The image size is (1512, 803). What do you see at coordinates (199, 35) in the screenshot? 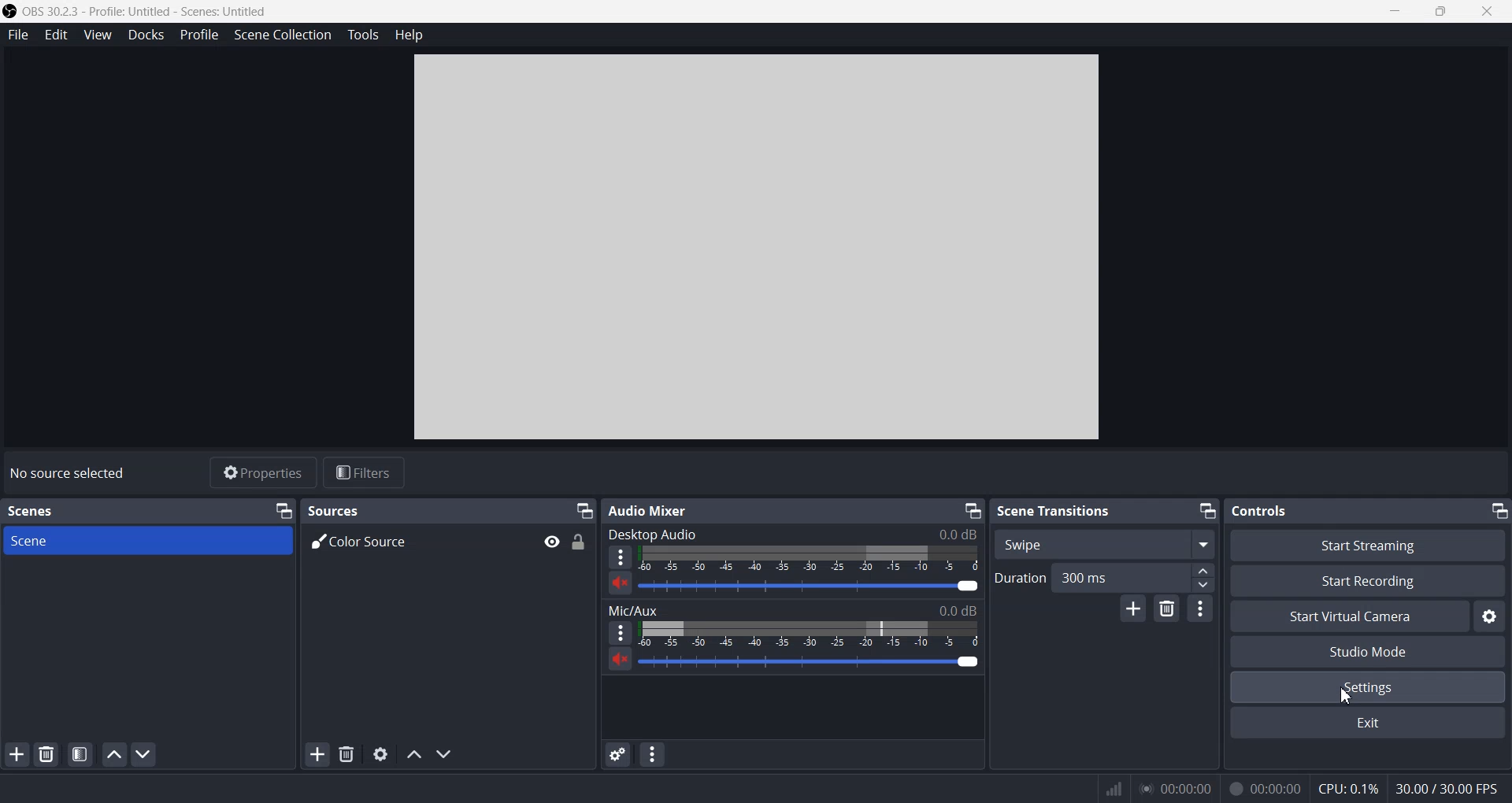
I see `Profile` at bounding box center [199, 35].